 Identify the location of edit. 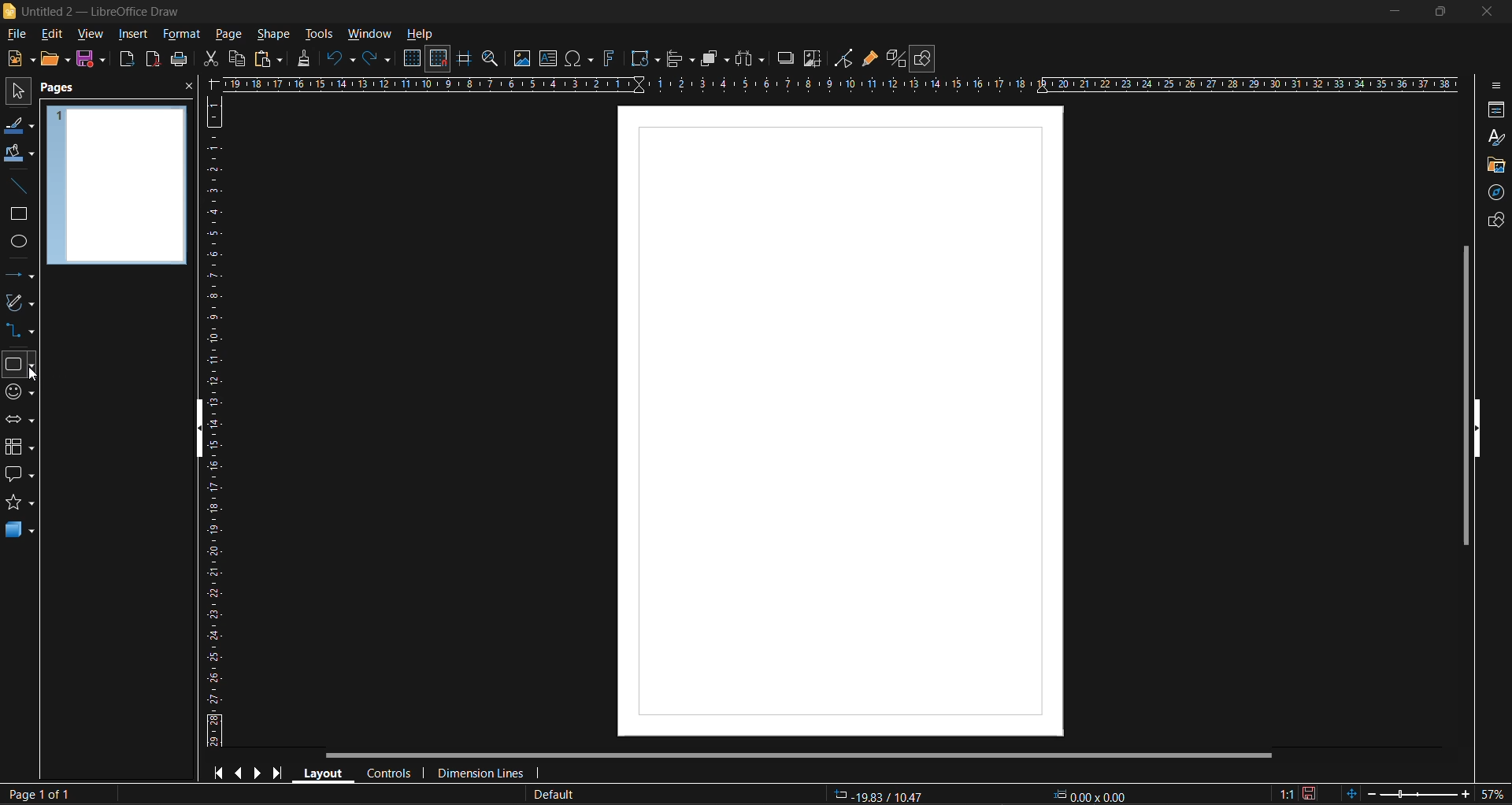
(55, 35).